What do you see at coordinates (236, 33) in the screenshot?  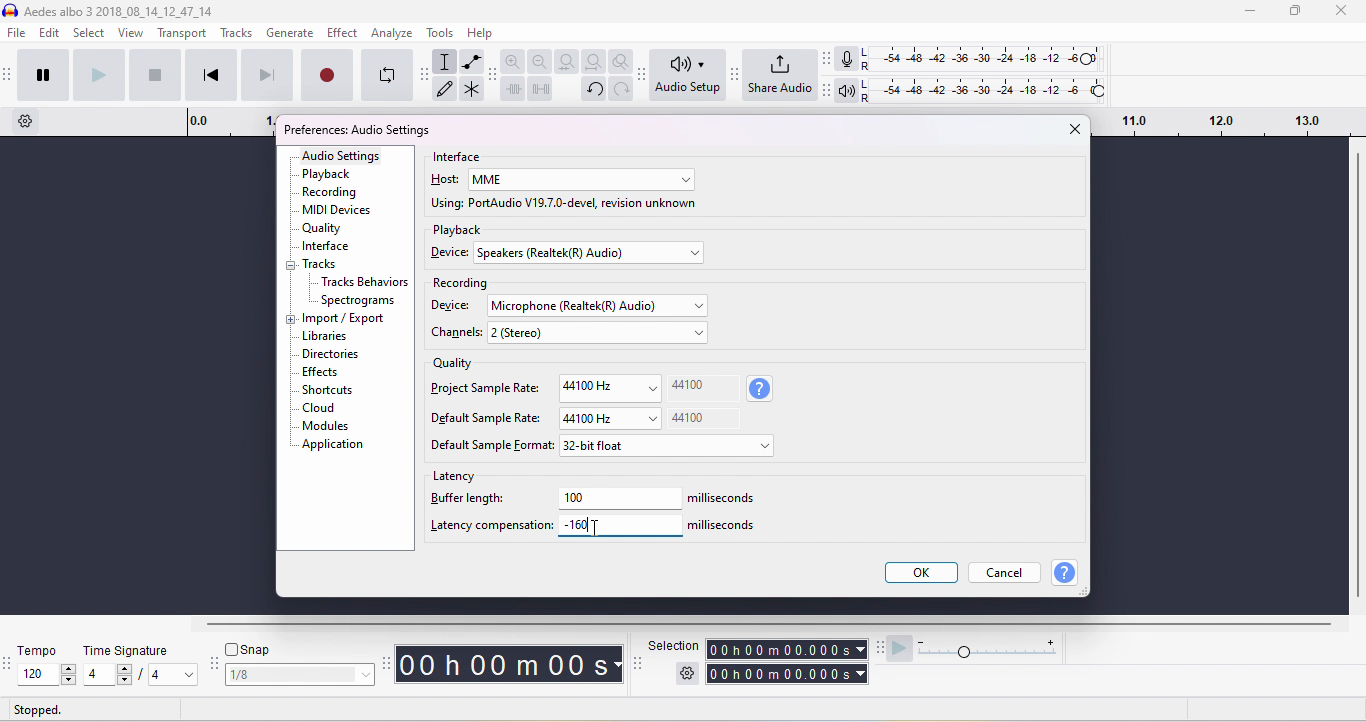 I see `tracks` at bounding box center [236, 33].